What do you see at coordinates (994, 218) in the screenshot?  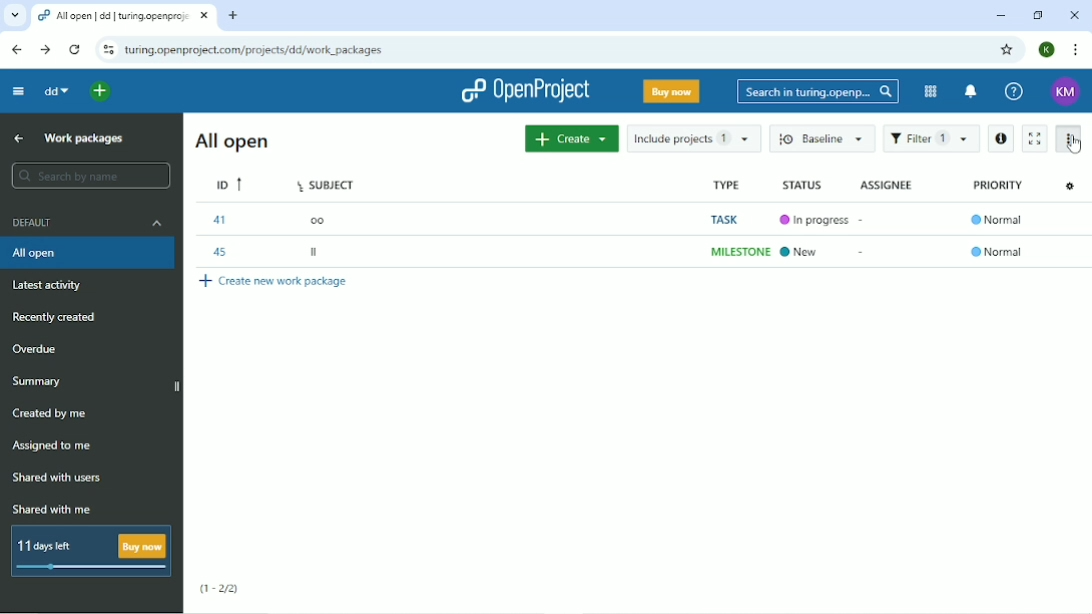 I see `Normal` at bounding box center [994, 218].